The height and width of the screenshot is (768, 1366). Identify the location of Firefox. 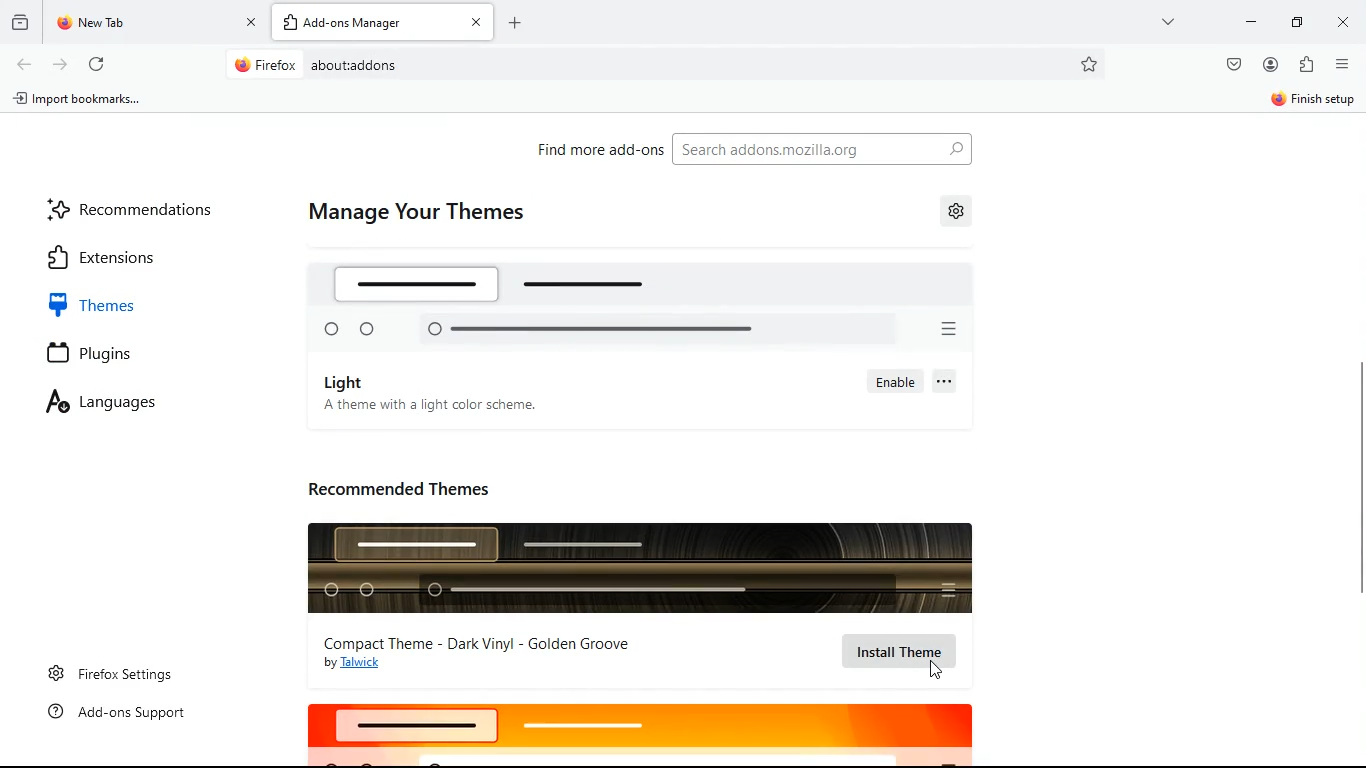
(266, 64).